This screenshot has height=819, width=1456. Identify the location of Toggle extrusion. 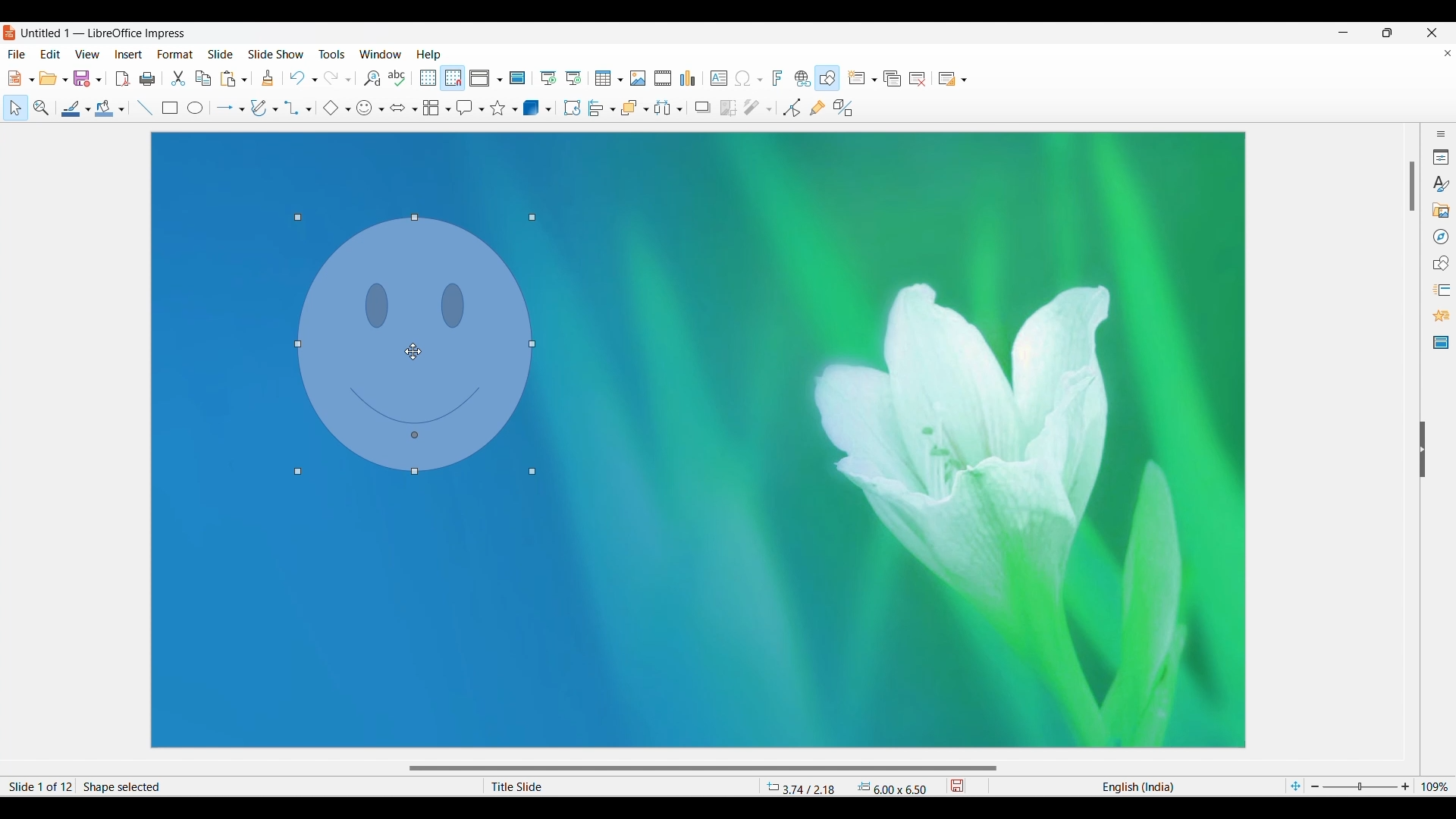
(844, 108).